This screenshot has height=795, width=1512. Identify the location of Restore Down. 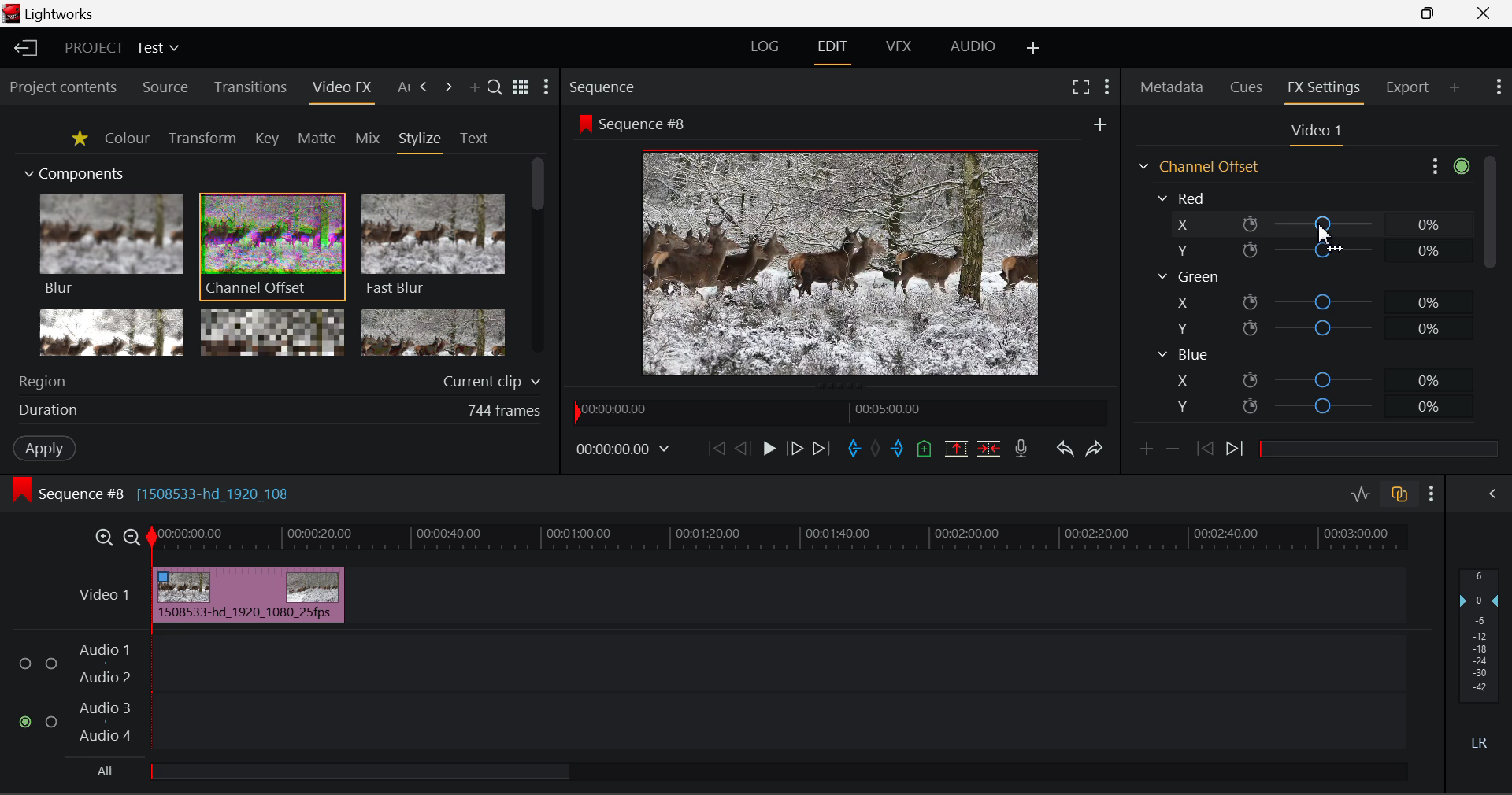
(1379, 14).